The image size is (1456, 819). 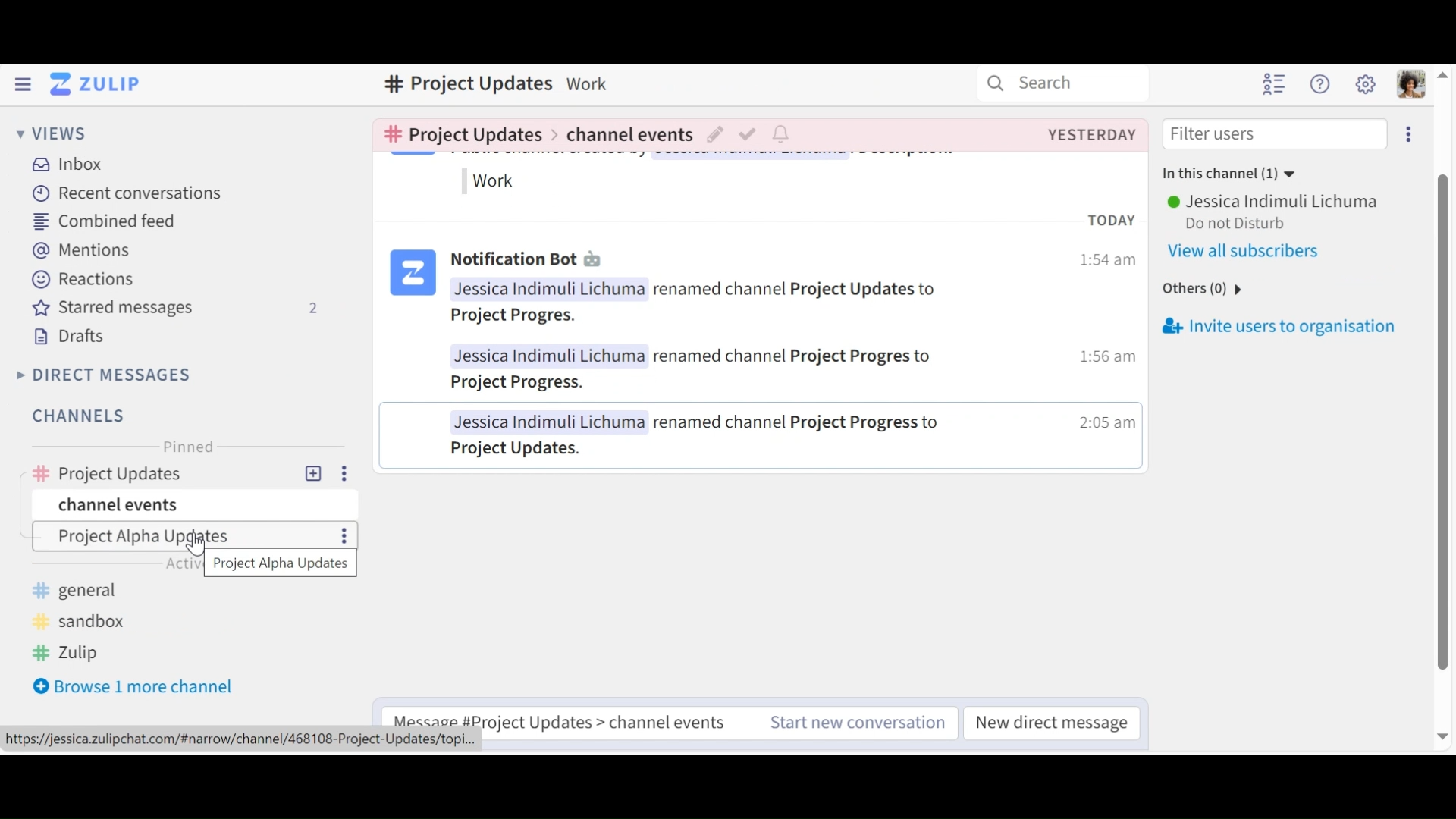 What do you see at coordinates (86, 589) in the screenshot?
I see `general` at bounding box center [86, 589].